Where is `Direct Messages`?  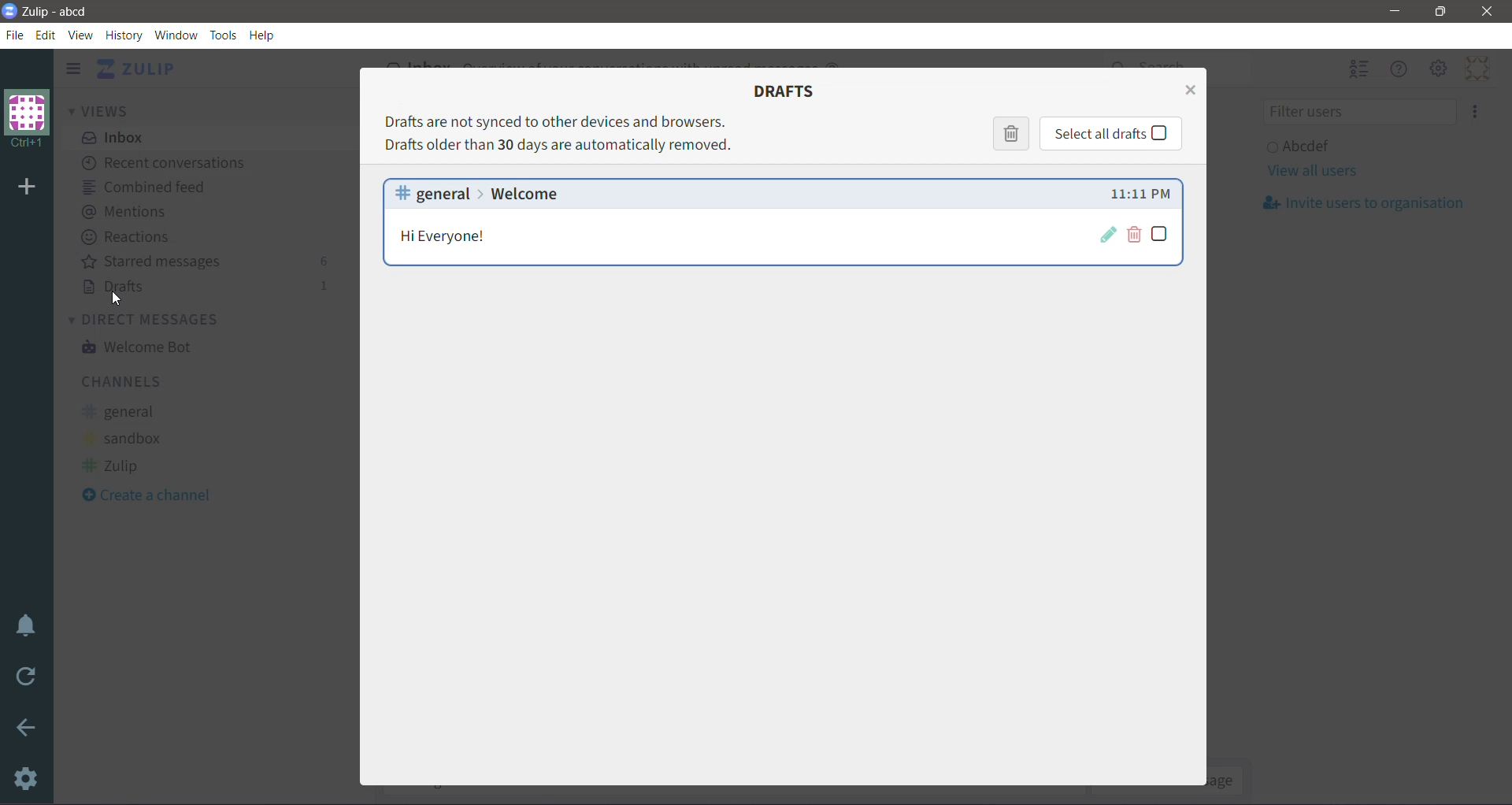 Direct Messages is located at coordinates (154, 318).